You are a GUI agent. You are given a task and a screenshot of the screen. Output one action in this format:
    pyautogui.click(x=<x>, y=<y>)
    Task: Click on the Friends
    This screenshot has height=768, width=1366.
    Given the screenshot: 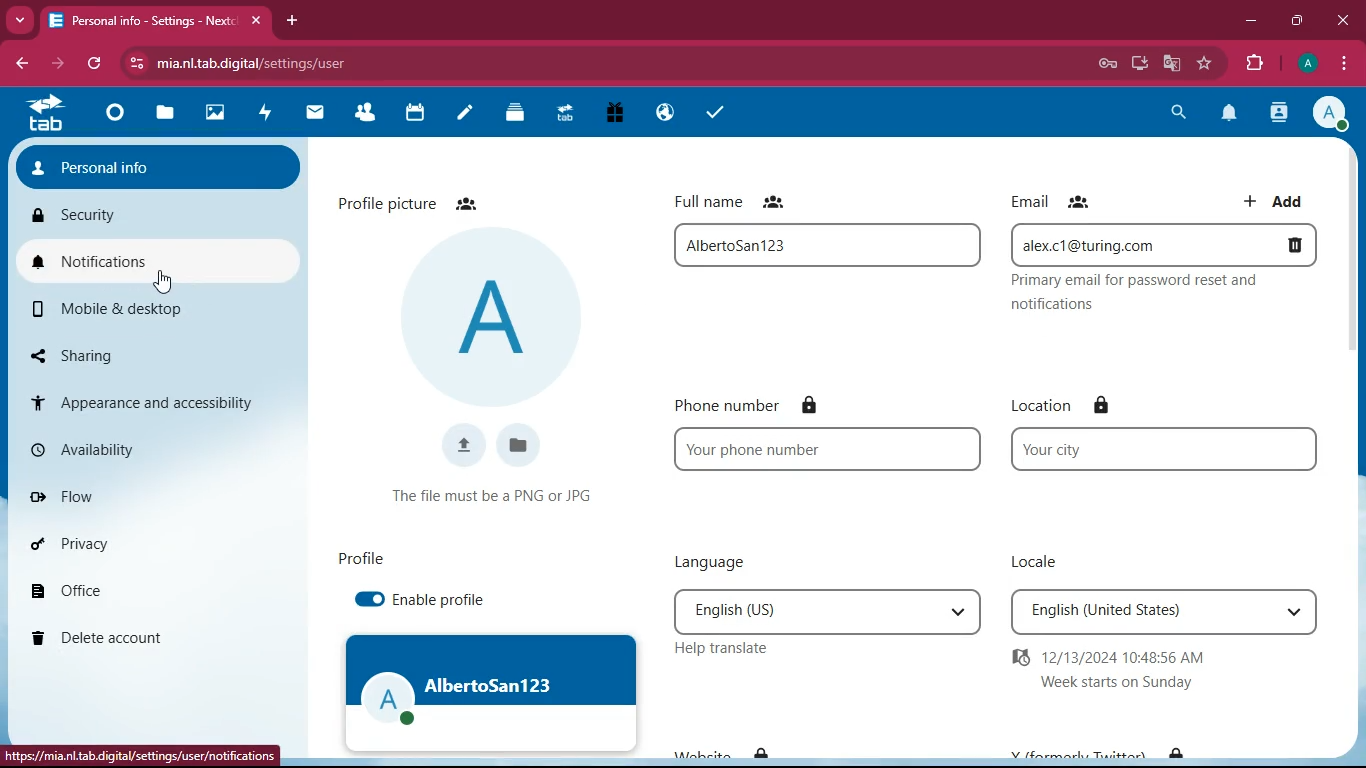 What is the action you would take?
    pyautogui.click(x=1076, y=201)
    